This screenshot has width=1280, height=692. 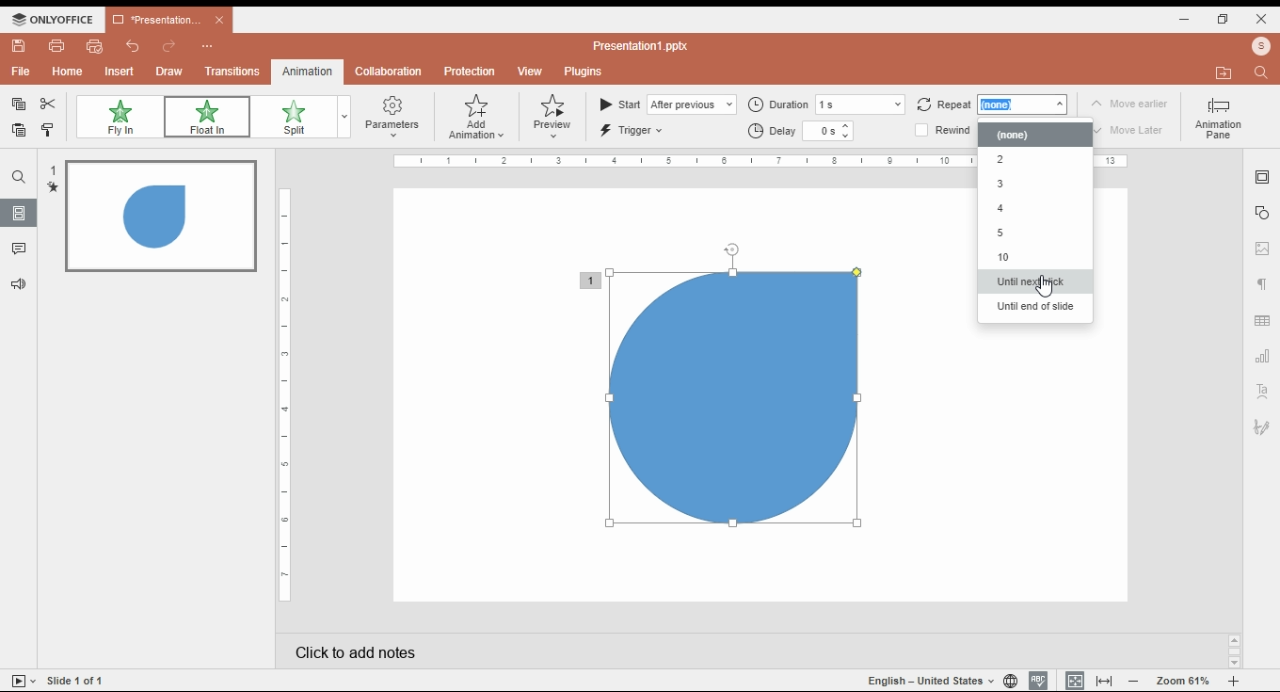 I want to click on copy style, so click(x=49, y=130).